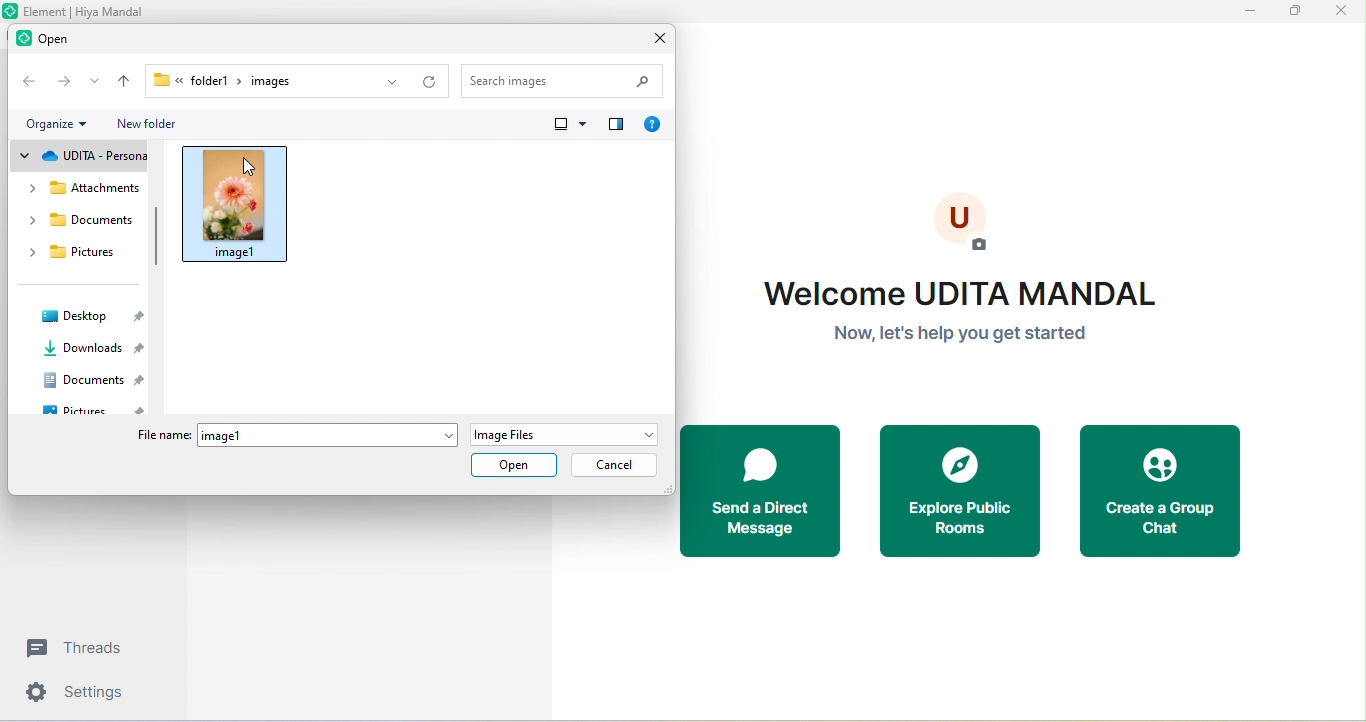 Image resolution: width=1366 pixels, height=722 pixels. I want to click on forward, so click(63, 83).